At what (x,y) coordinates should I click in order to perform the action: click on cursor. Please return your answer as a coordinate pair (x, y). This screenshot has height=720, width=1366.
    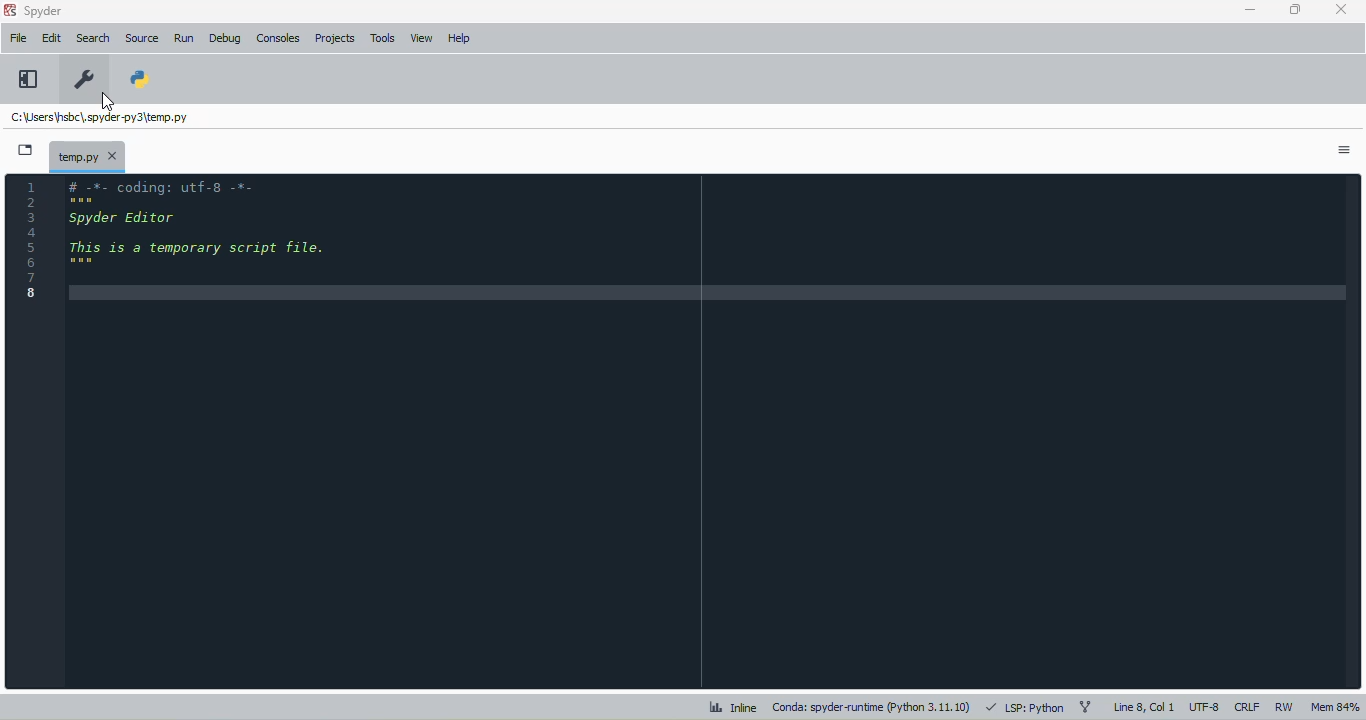
    Looking at the image, I should click on (108, 101).